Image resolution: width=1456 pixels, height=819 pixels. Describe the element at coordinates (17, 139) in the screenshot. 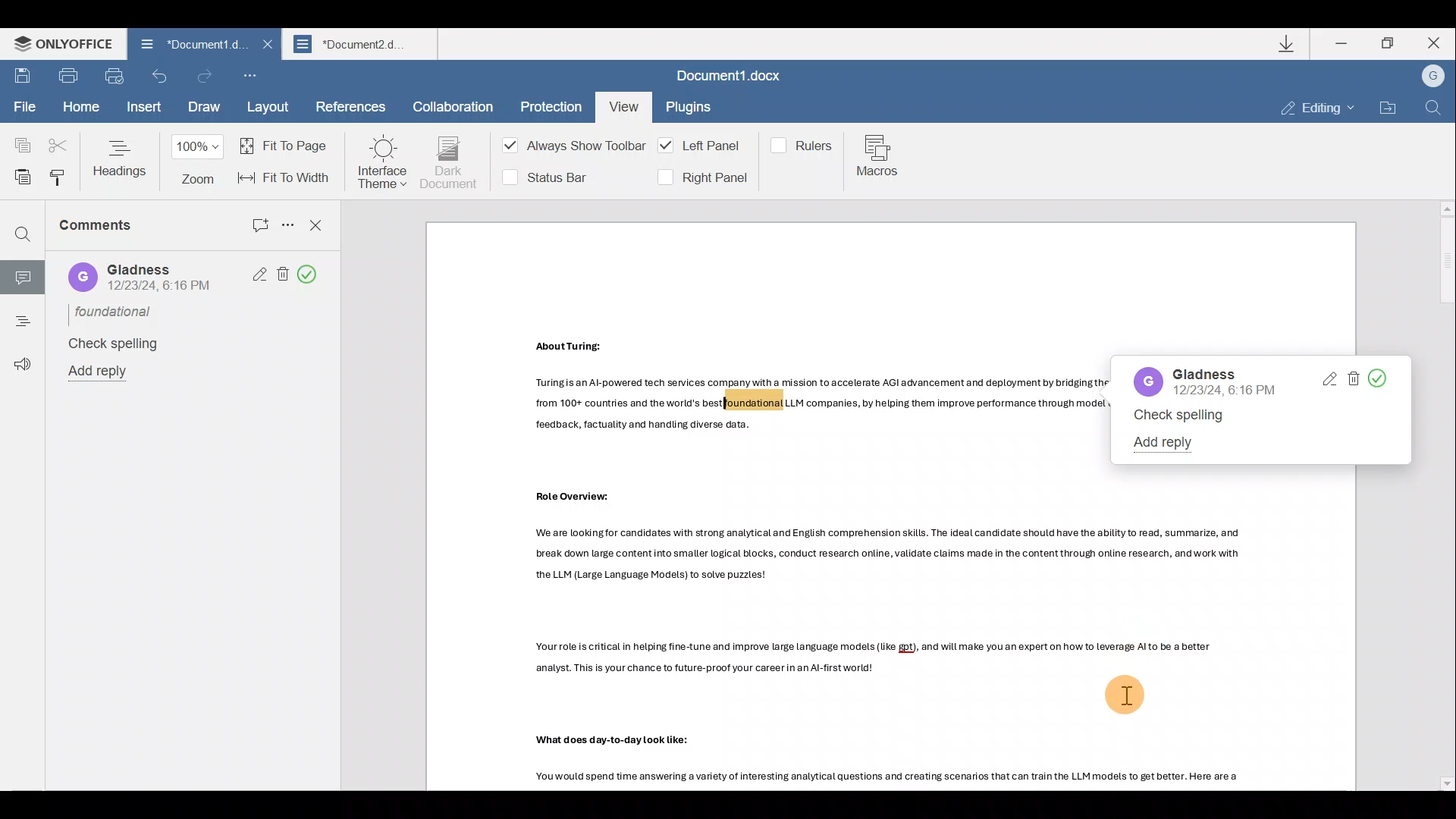

I see `Copy` at that location.